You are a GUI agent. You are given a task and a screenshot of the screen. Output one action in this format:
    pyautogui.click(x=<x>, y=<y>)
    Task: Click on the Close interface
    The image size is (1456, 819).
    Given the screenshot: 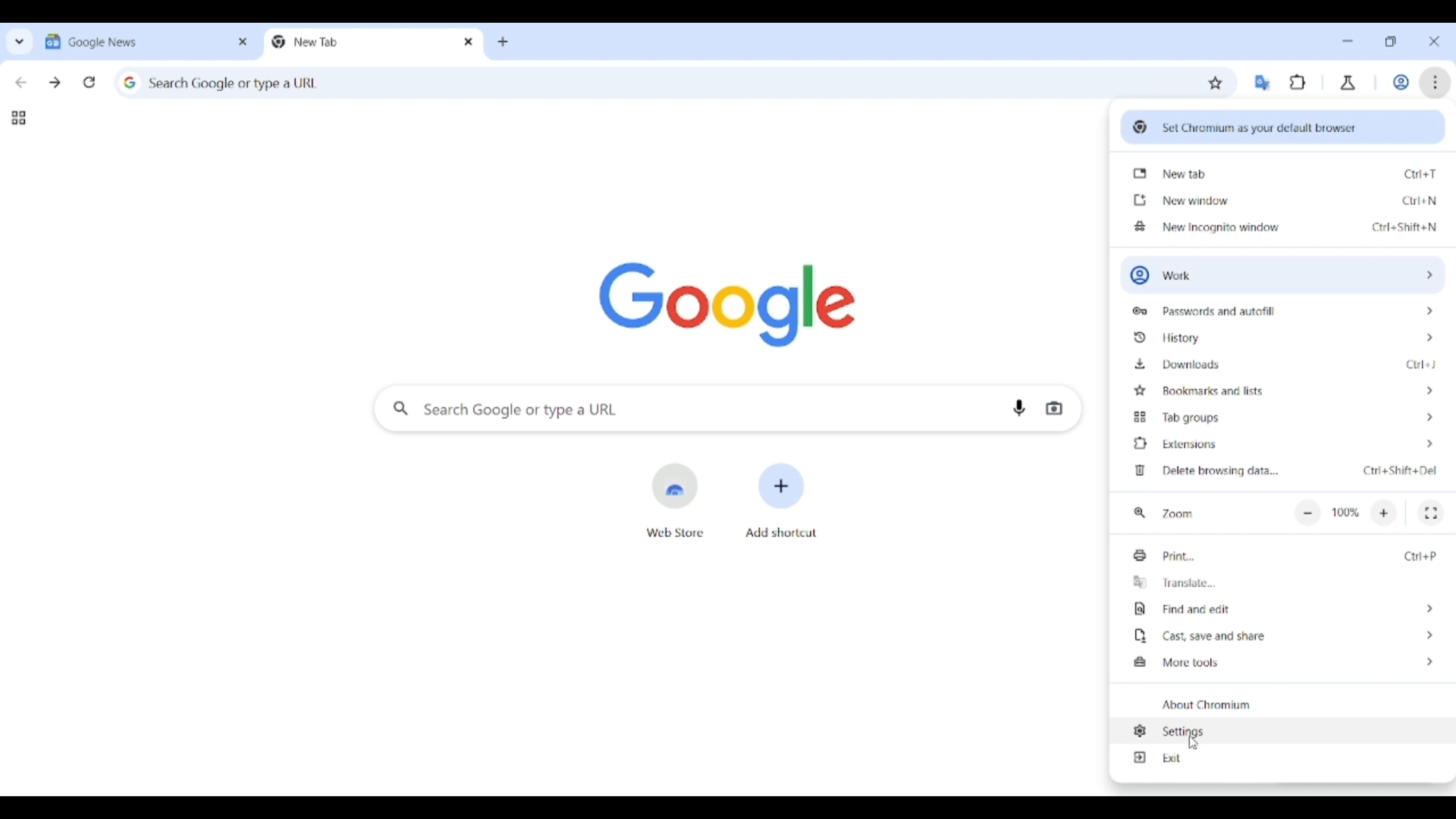 What is the action you would take?
    pyautogui.click(x=1434, y=41)
    